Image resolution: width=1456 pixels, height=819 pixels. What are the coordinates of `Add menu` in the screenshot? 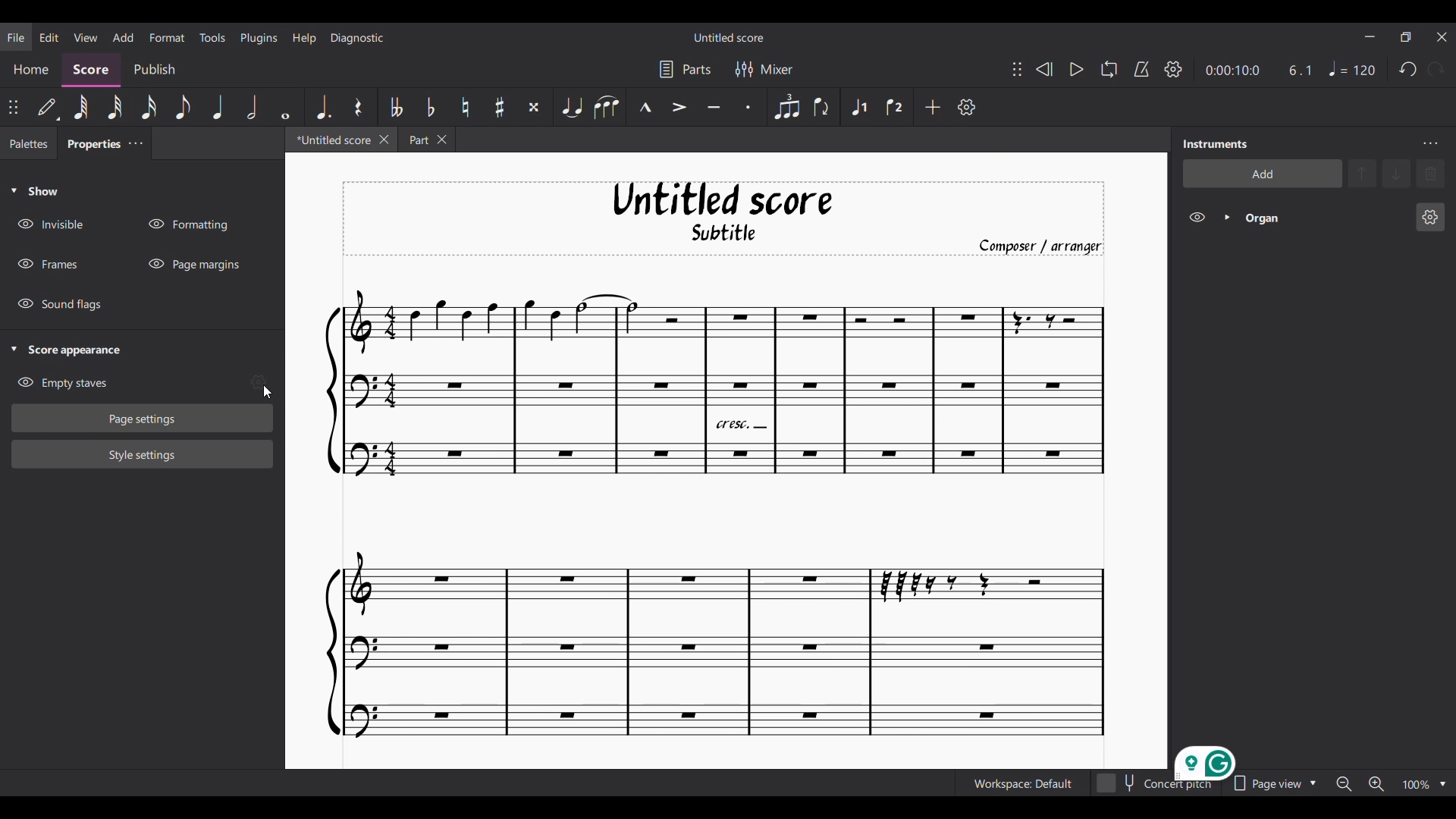 It's located at (123, 36).